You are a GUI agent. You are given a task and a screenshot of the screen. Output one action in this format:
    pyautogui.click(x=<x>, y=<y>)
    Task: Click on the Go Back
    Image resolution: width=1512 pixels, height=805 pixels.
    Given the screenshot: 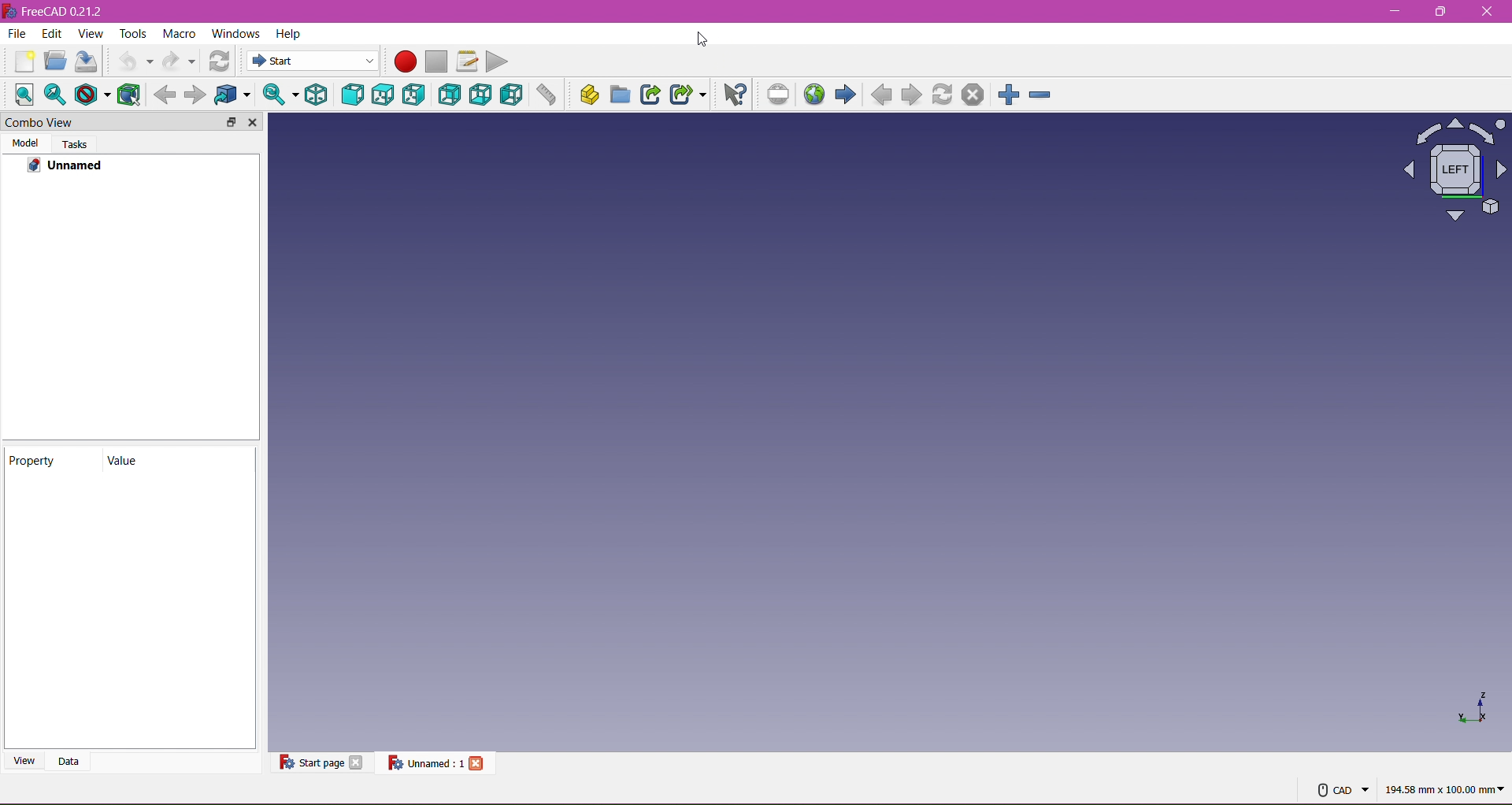 What is the action you would take?
    pyautogui.click(x=165, y=95)
    